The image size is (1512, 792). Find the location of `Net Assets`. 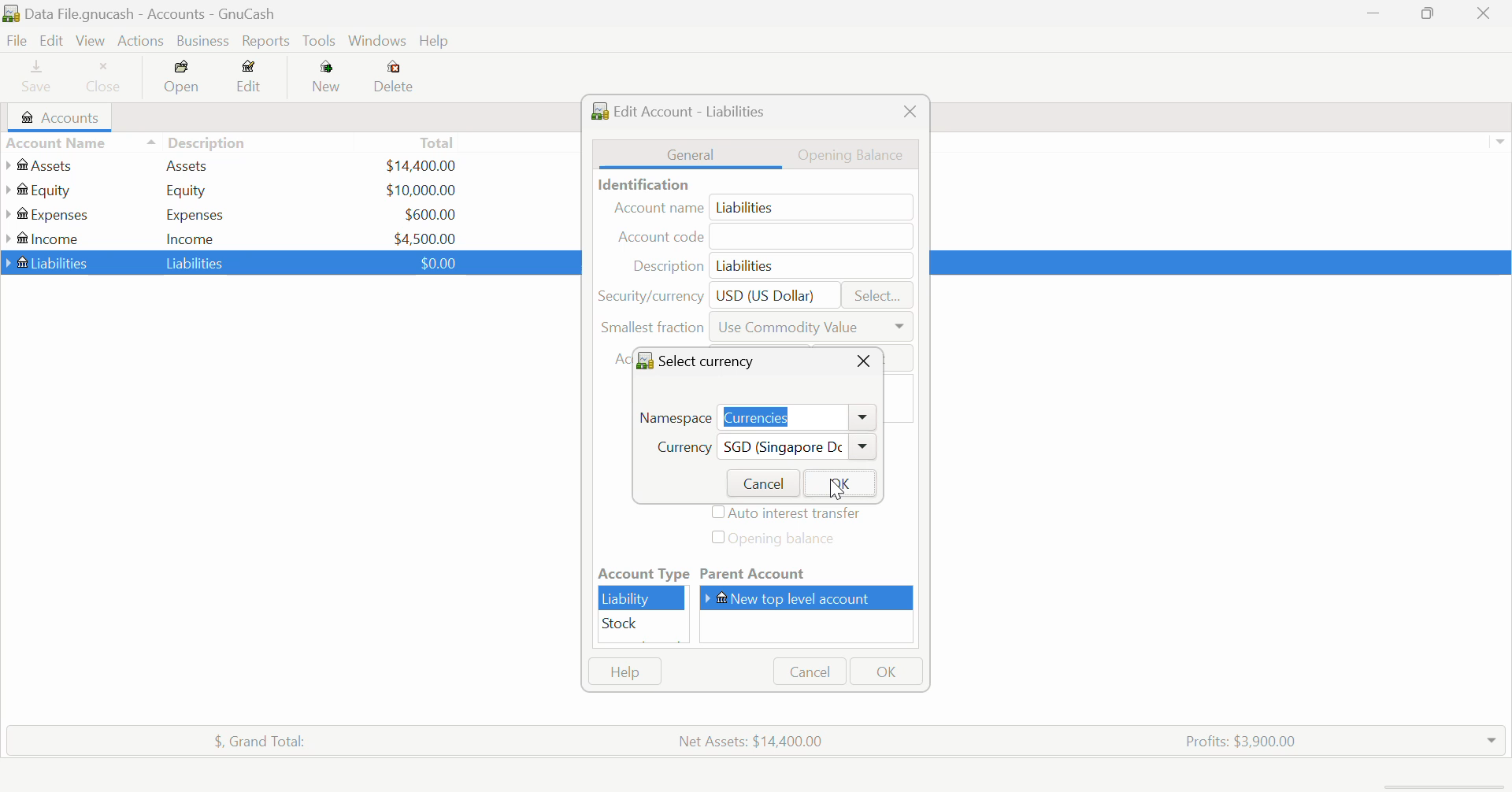

Net Assets is located at coordinates (754, 741).